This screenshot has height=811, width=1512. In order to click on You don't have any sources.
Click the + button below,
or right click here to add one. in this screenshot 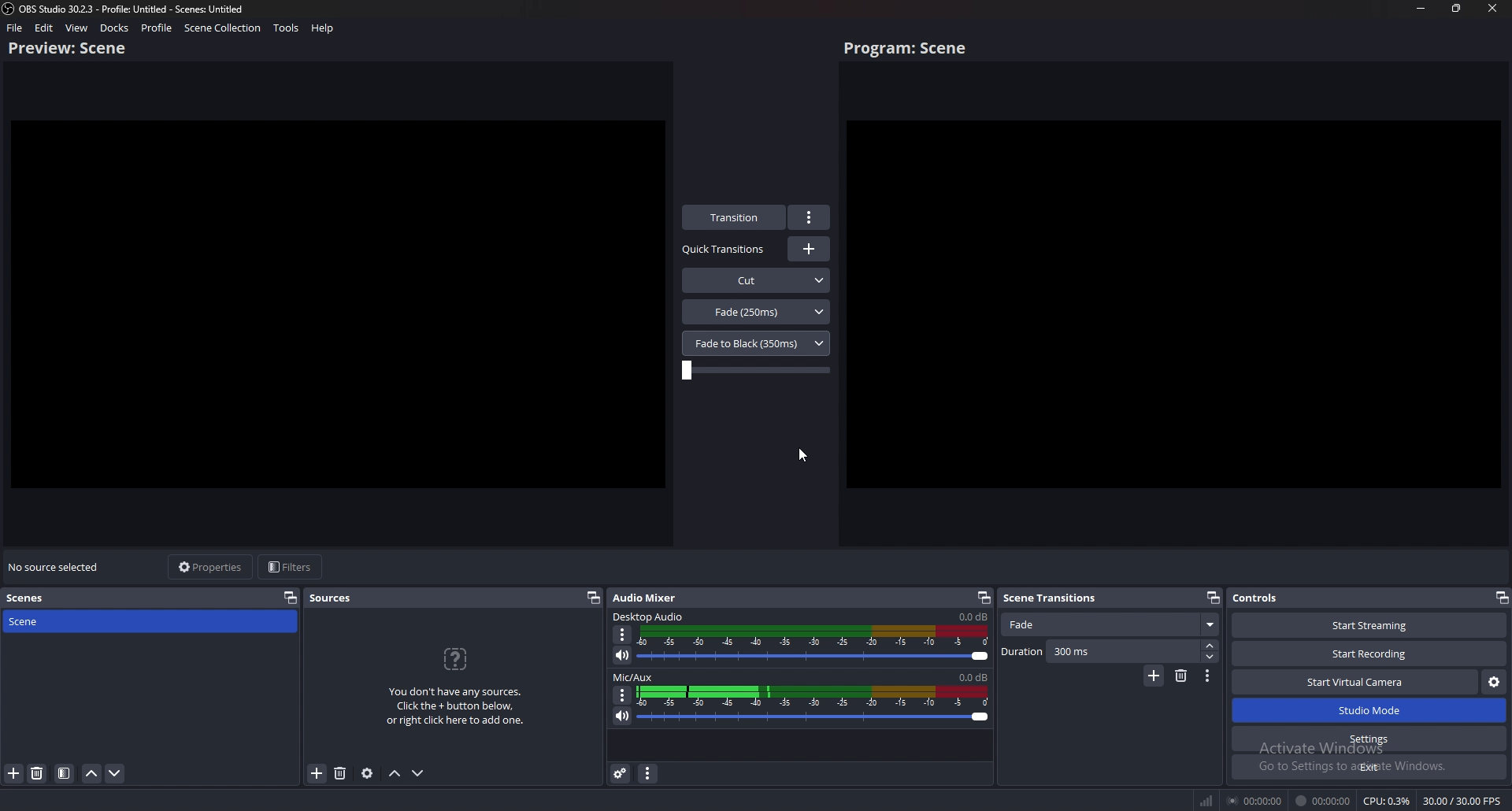, I will do `click(460, 709)`.